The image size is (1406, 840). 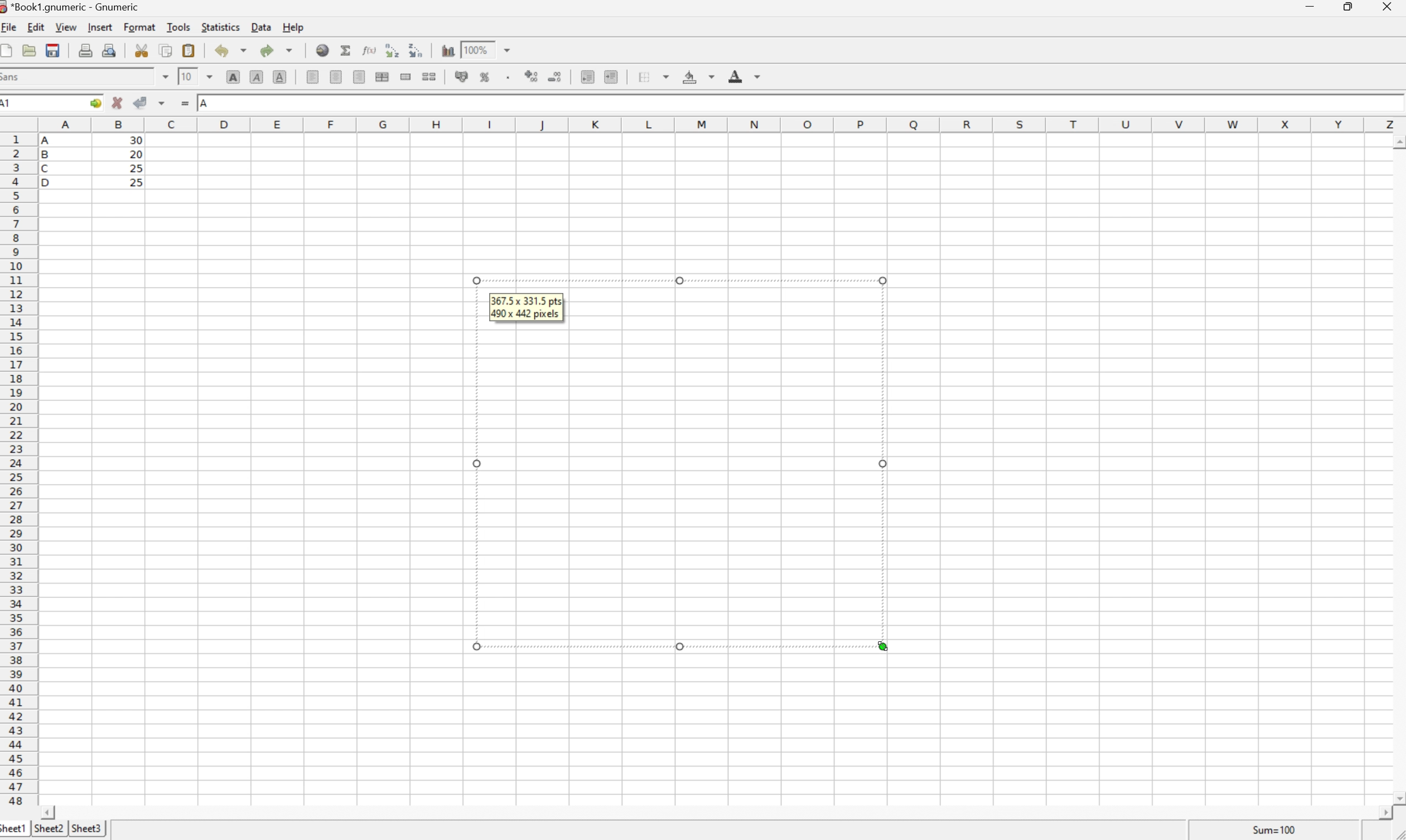 What do you see at coordinates (257, 76) in the screenshot?
I see `Italic` at bounding box center [257, 76].